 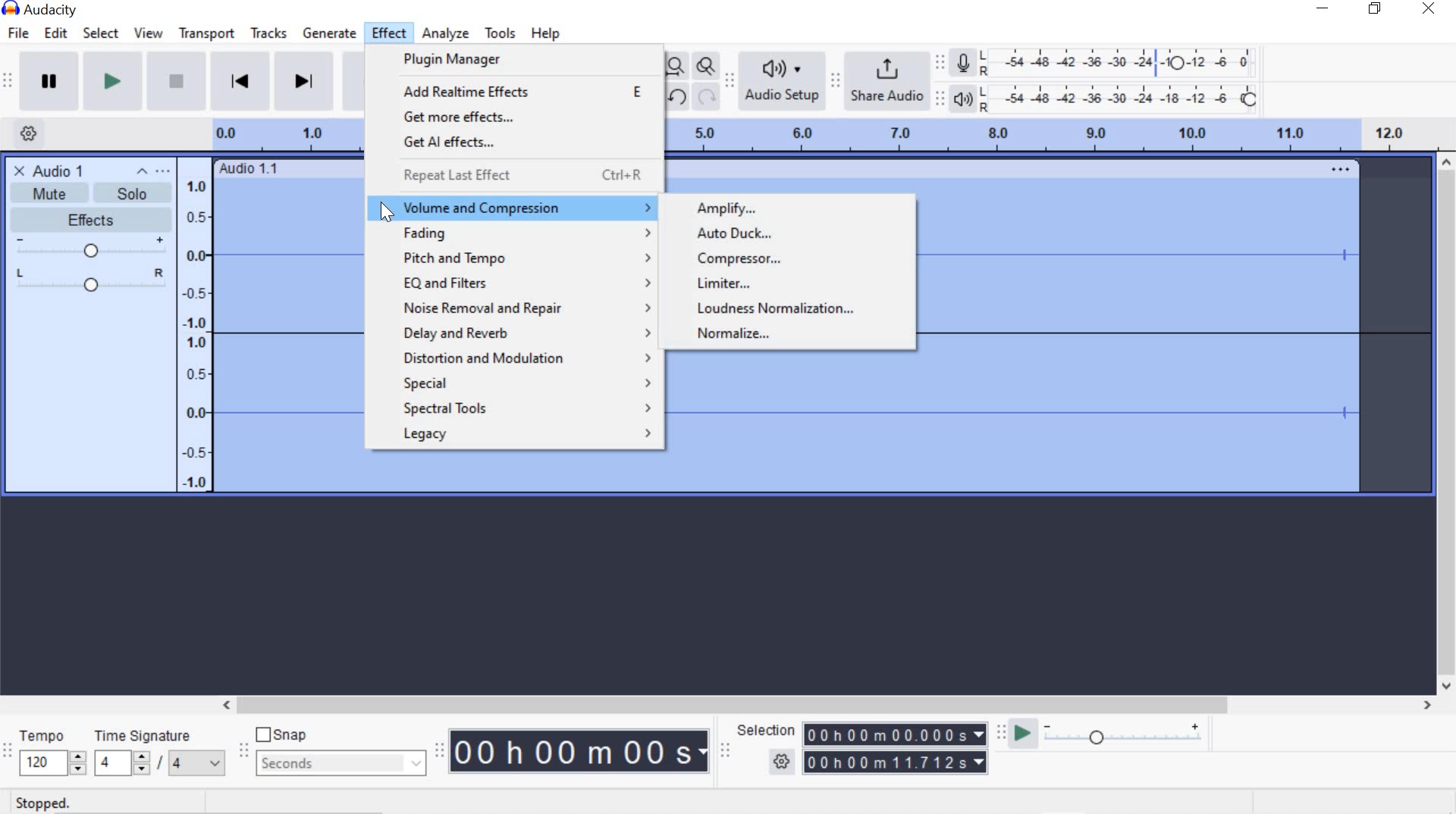 What do you see at coordinates (522, 118) in the screenshot?
I see `get more effects` at bounding box center [522, 118].